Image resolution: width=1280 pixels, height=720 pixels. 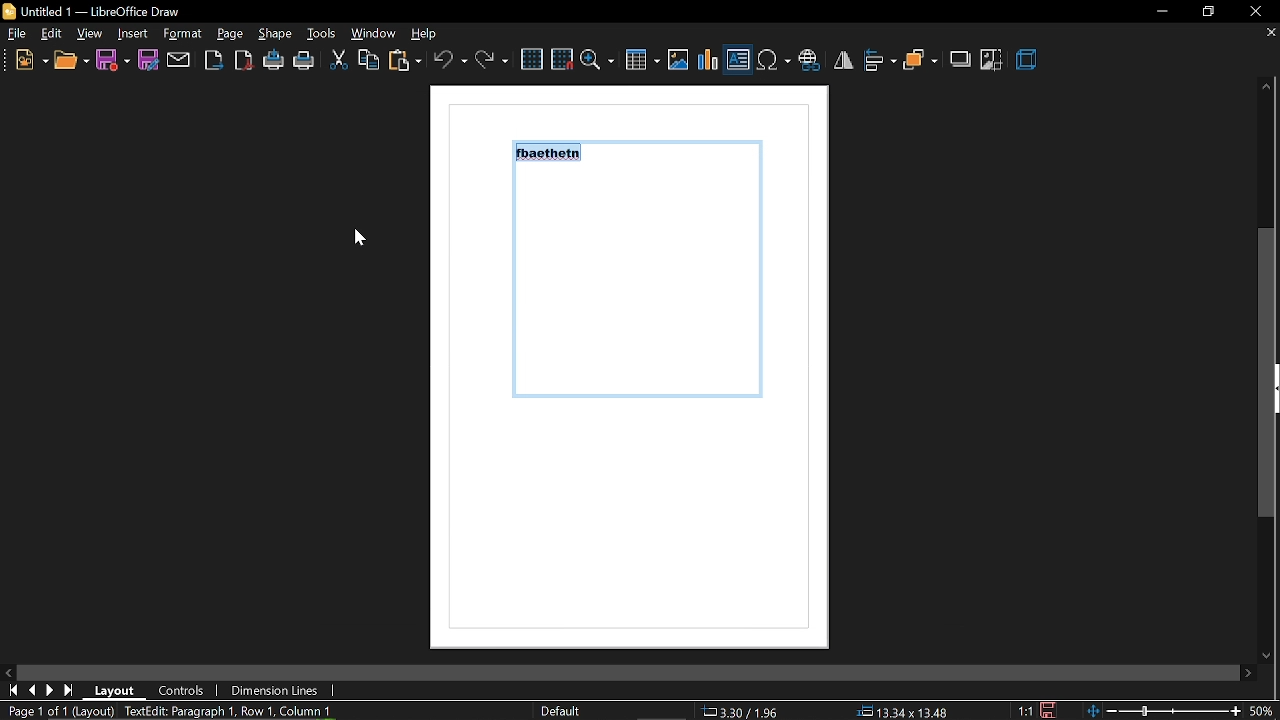 I want to click on attach, so click(x=178, y=61).